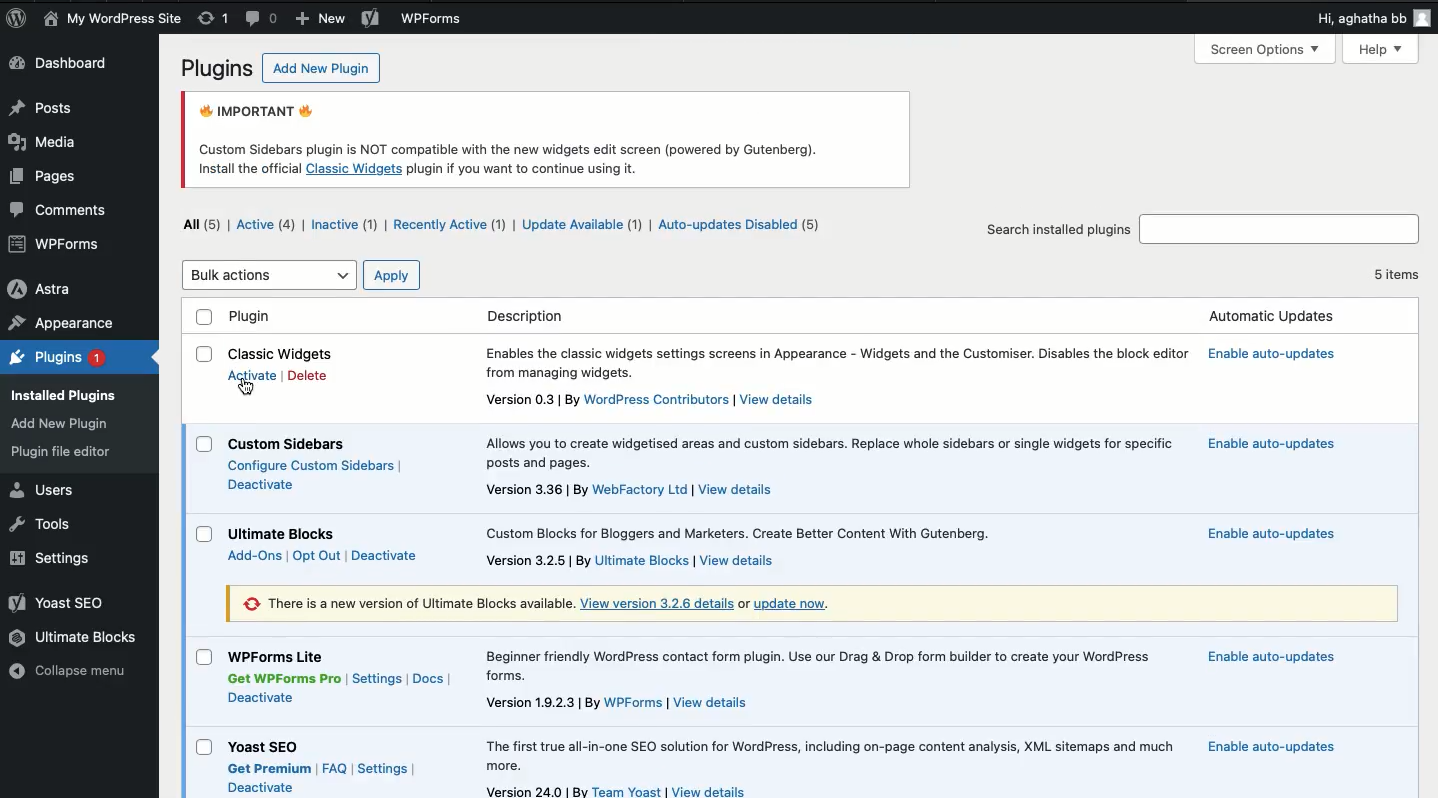  What do you see at coordinates (1281, 225) in the screenshot?
I see `input box` at bounding box center [1281, 225].